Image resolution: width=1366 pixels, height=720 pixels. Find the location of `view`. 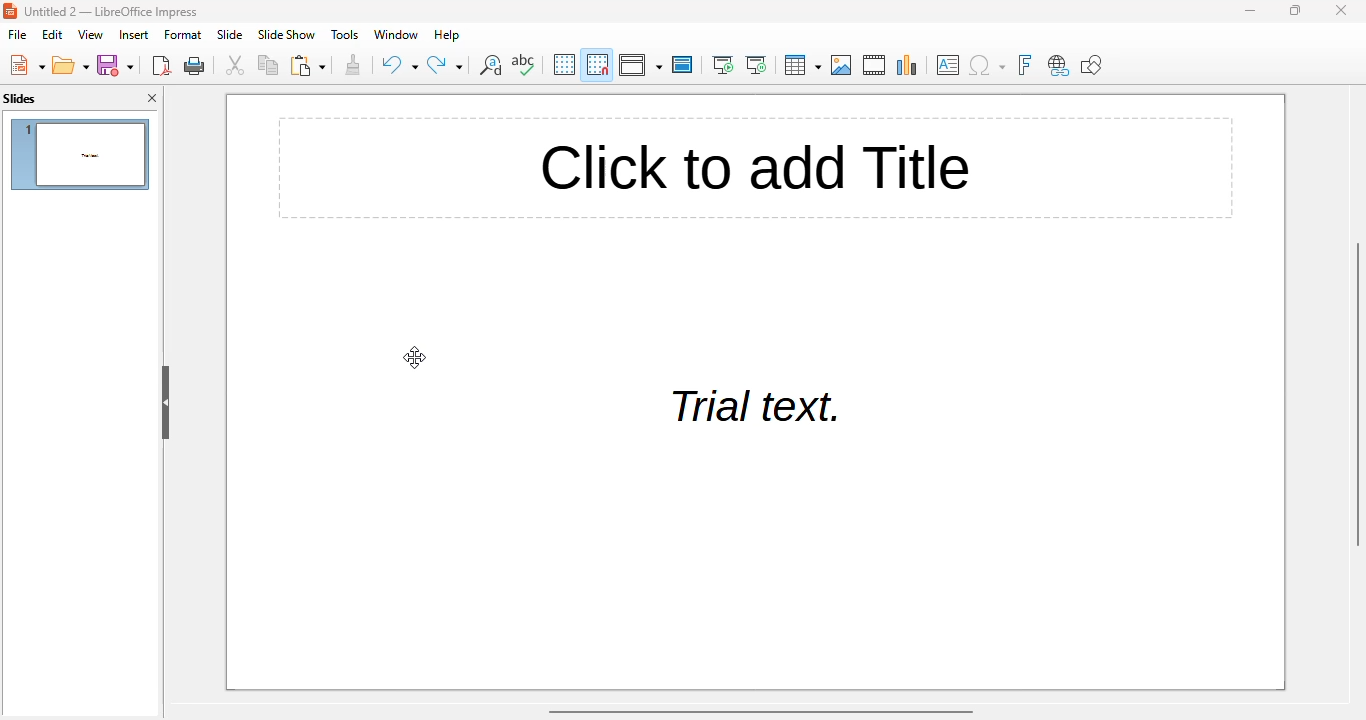

view is located at coordinates (92, 35).